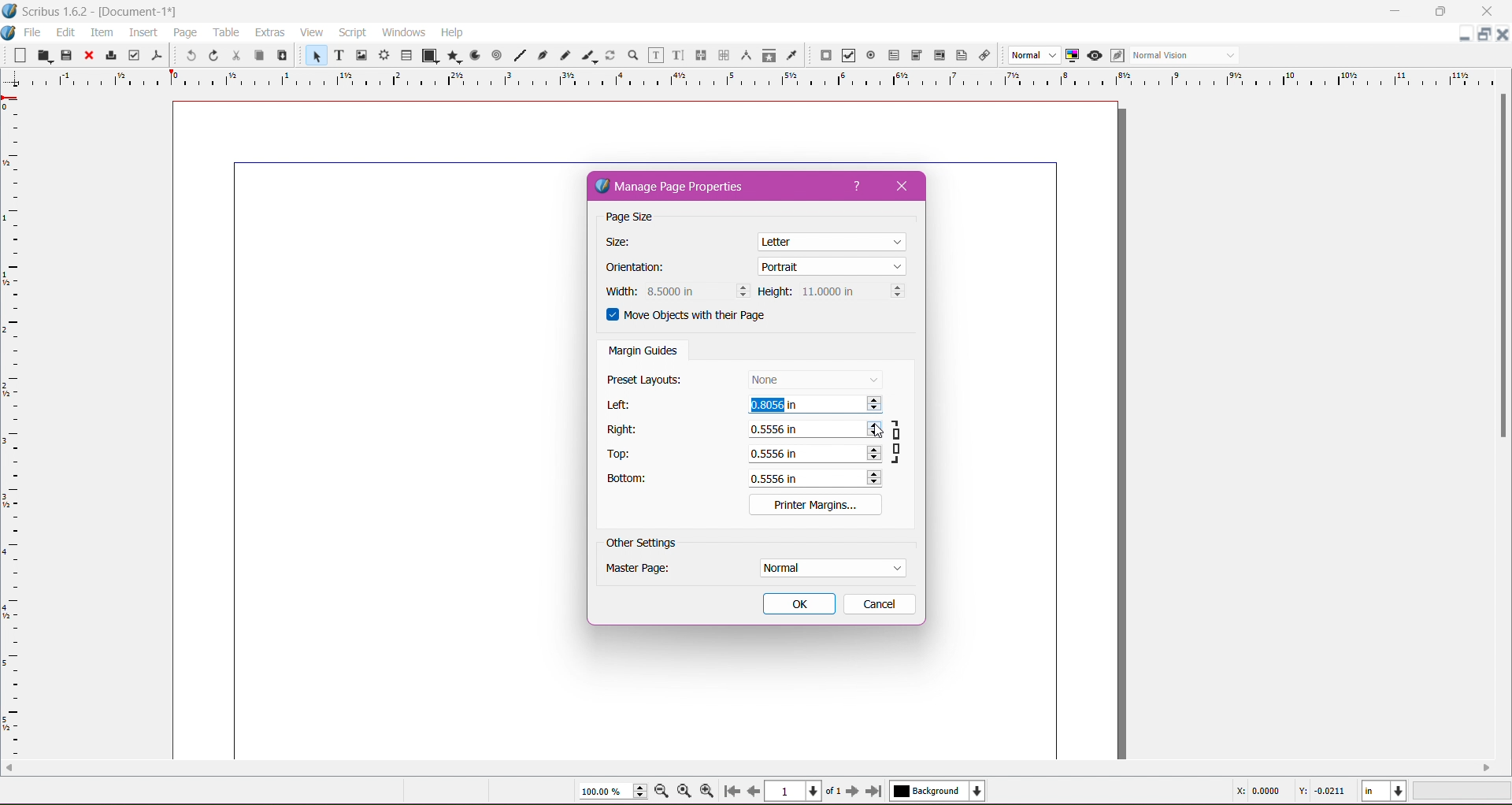  I want to click on Insert, so click(143, 33).